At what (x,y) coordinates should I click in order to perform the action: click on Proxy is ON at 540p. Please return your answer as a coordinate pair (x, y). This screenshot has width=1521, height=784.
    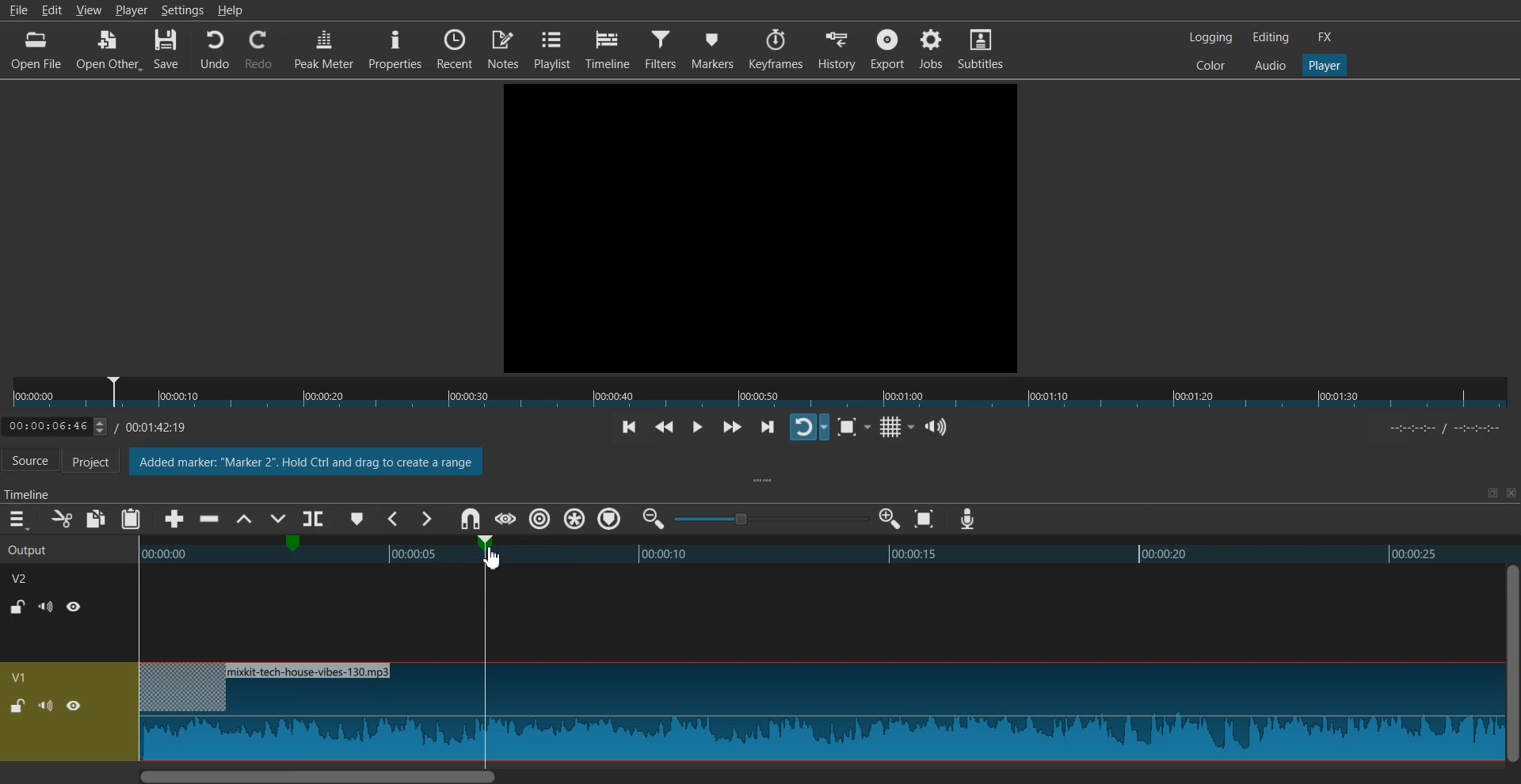
    Looking at the image, I should click on (307, 463).